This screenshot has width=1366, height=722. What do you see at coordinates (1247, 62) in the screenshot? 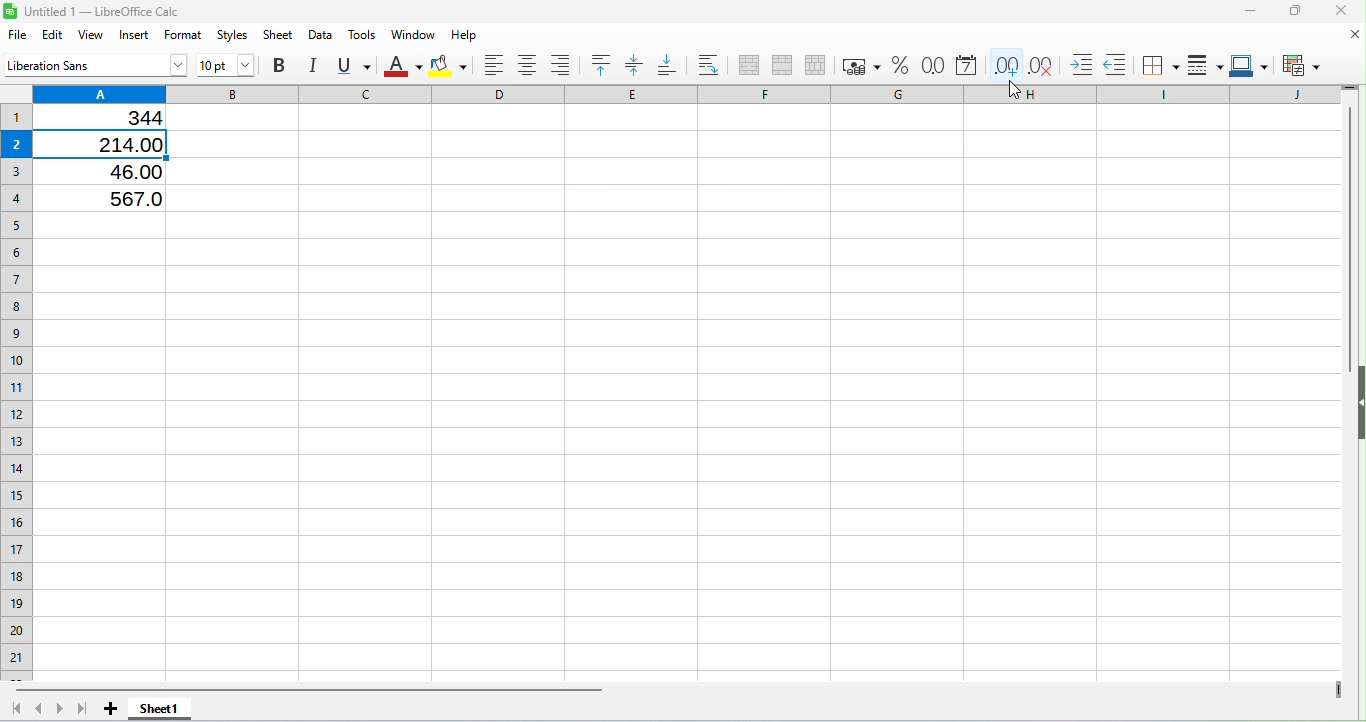
I see `Border color` at bounding box center [1247, 62].